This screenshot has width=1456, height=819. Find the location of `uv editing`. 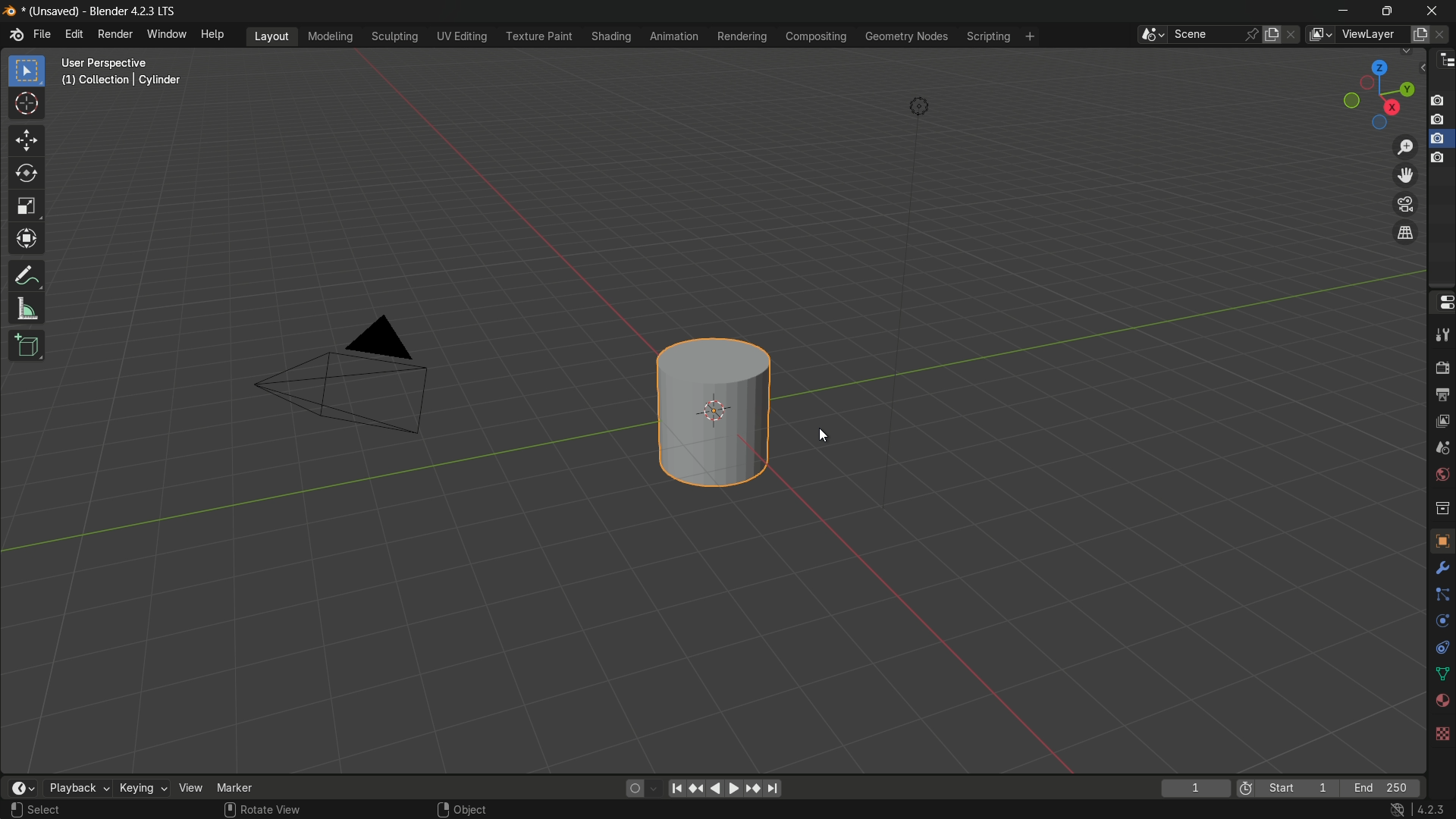

uv editing is located at coordinates (461, 36).